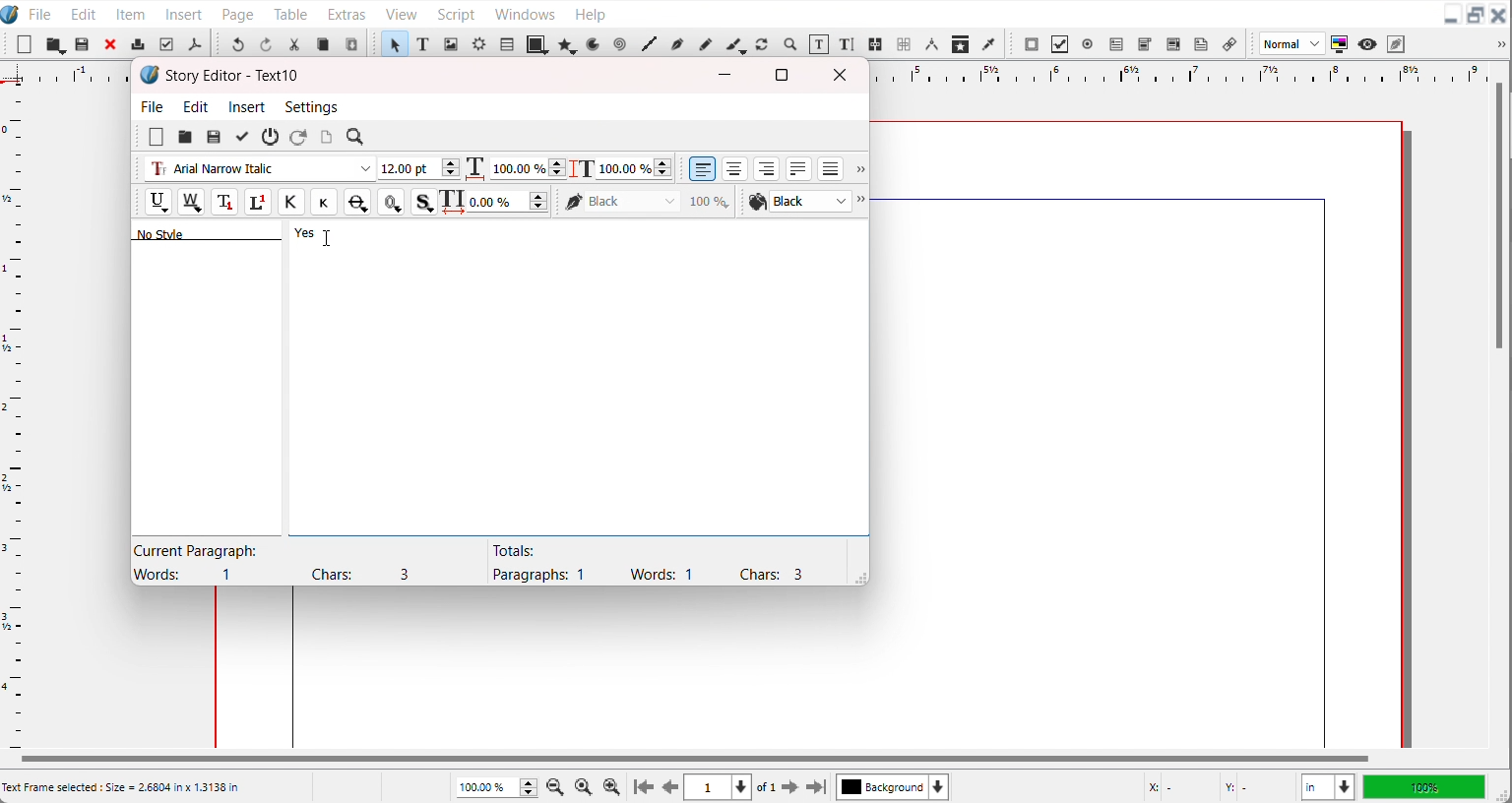 This screenshot has height=803, width=1512. I want to click on Close, so click(844, 75).